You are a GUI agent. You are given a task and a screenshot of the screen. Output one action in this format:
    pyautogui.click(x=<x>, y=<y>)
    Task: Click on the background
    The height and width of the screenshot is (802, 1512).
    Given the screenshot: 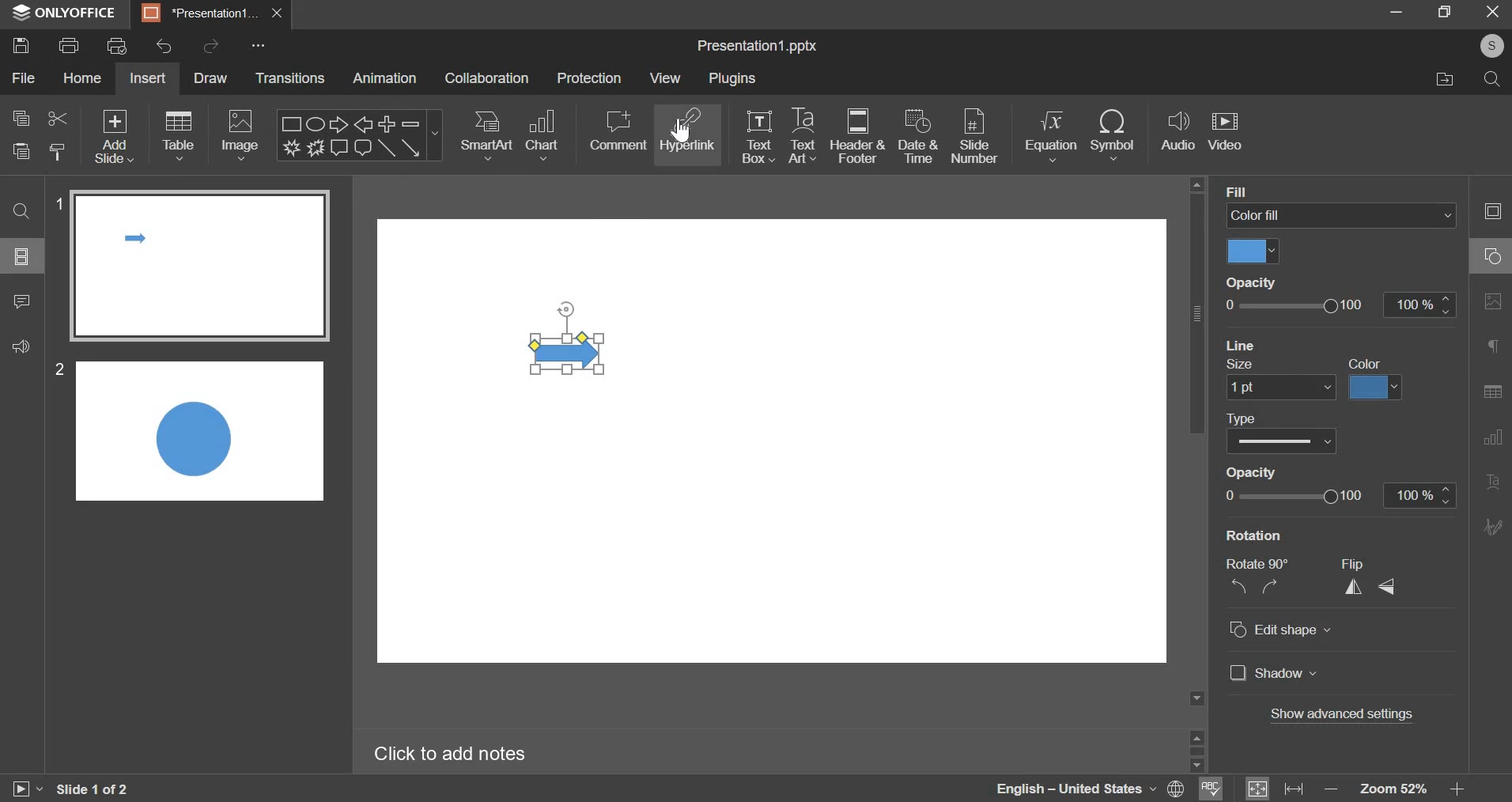 What is the action you would take?
    pyautogui.click(x=1270, y=191)
    